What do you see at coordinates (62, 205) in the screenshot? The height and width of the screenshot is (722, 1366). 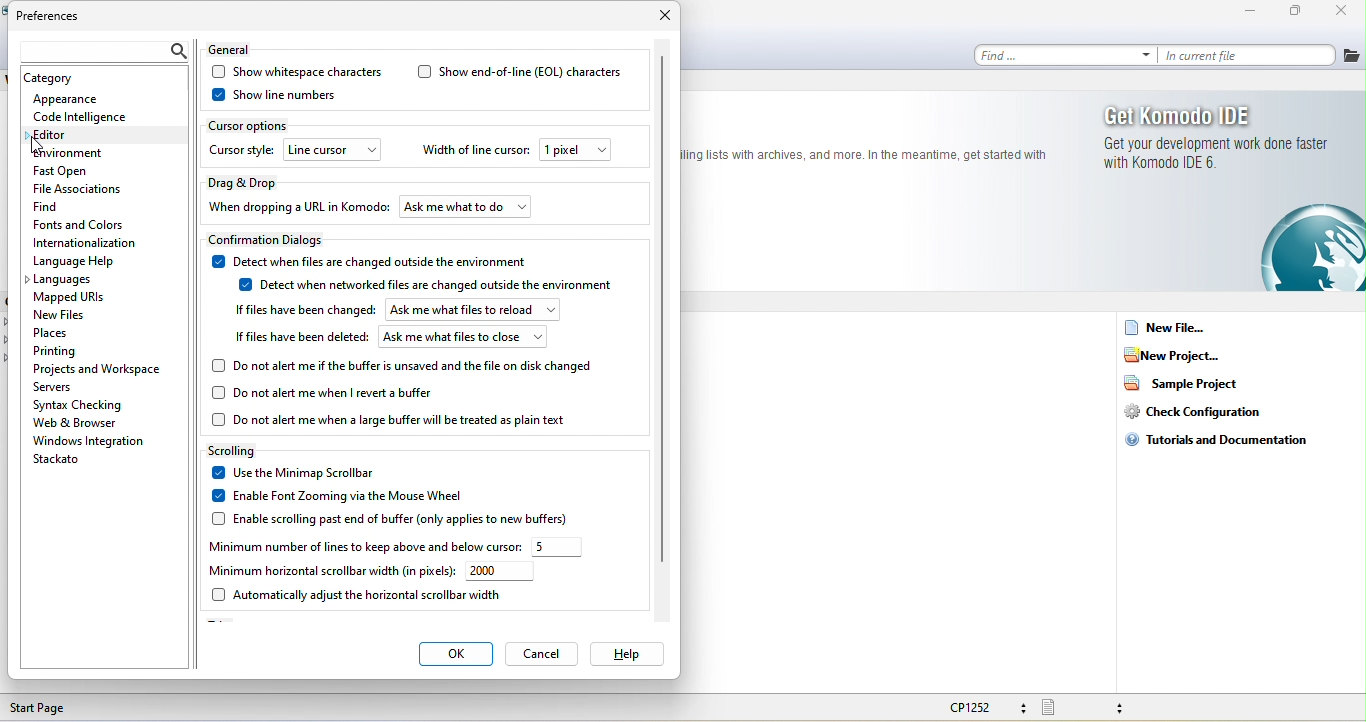 I see `find` at bounding box center [62, 205].